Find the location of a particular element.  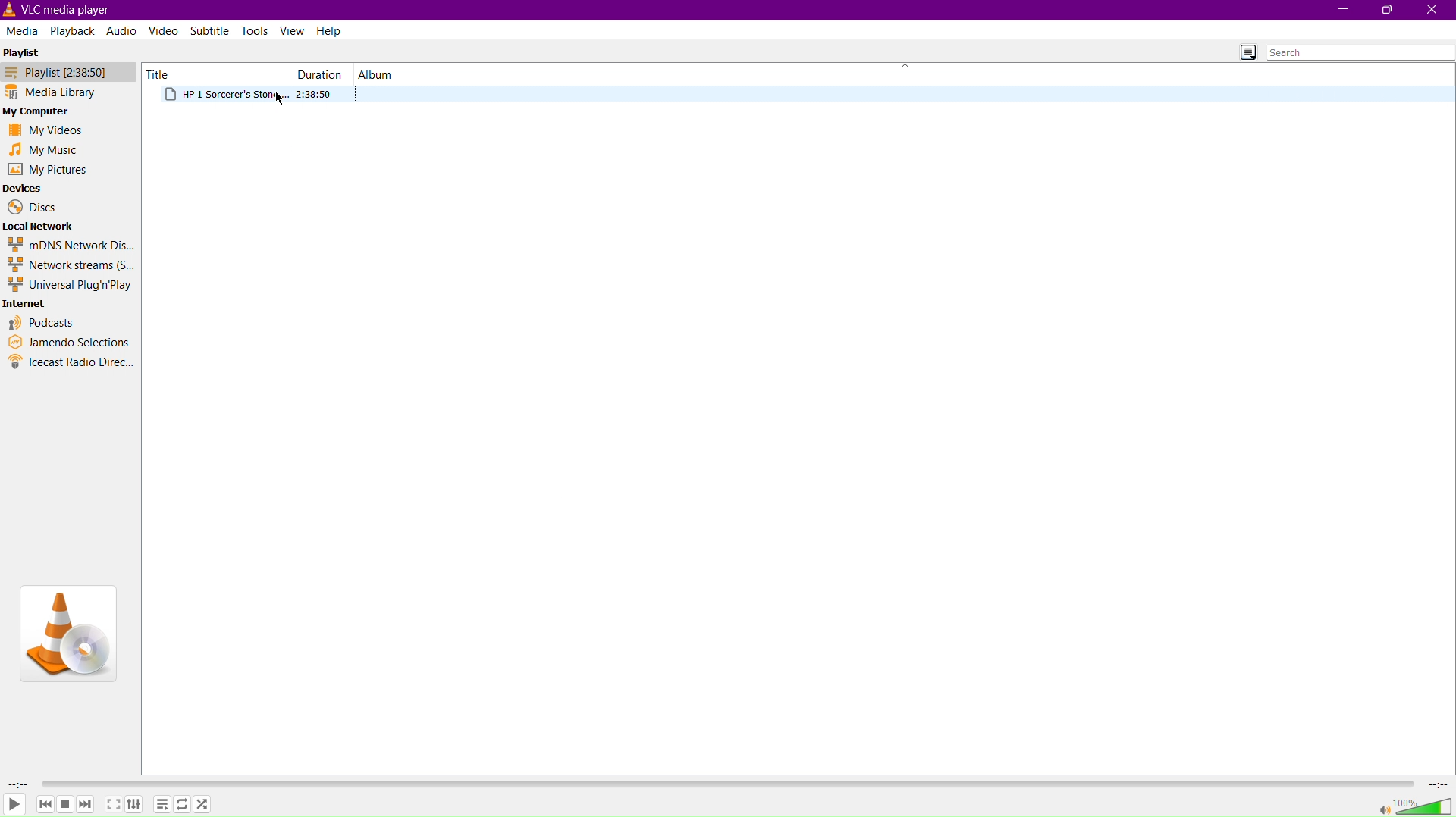

Fullscreen is located at coordinates (112, 804).